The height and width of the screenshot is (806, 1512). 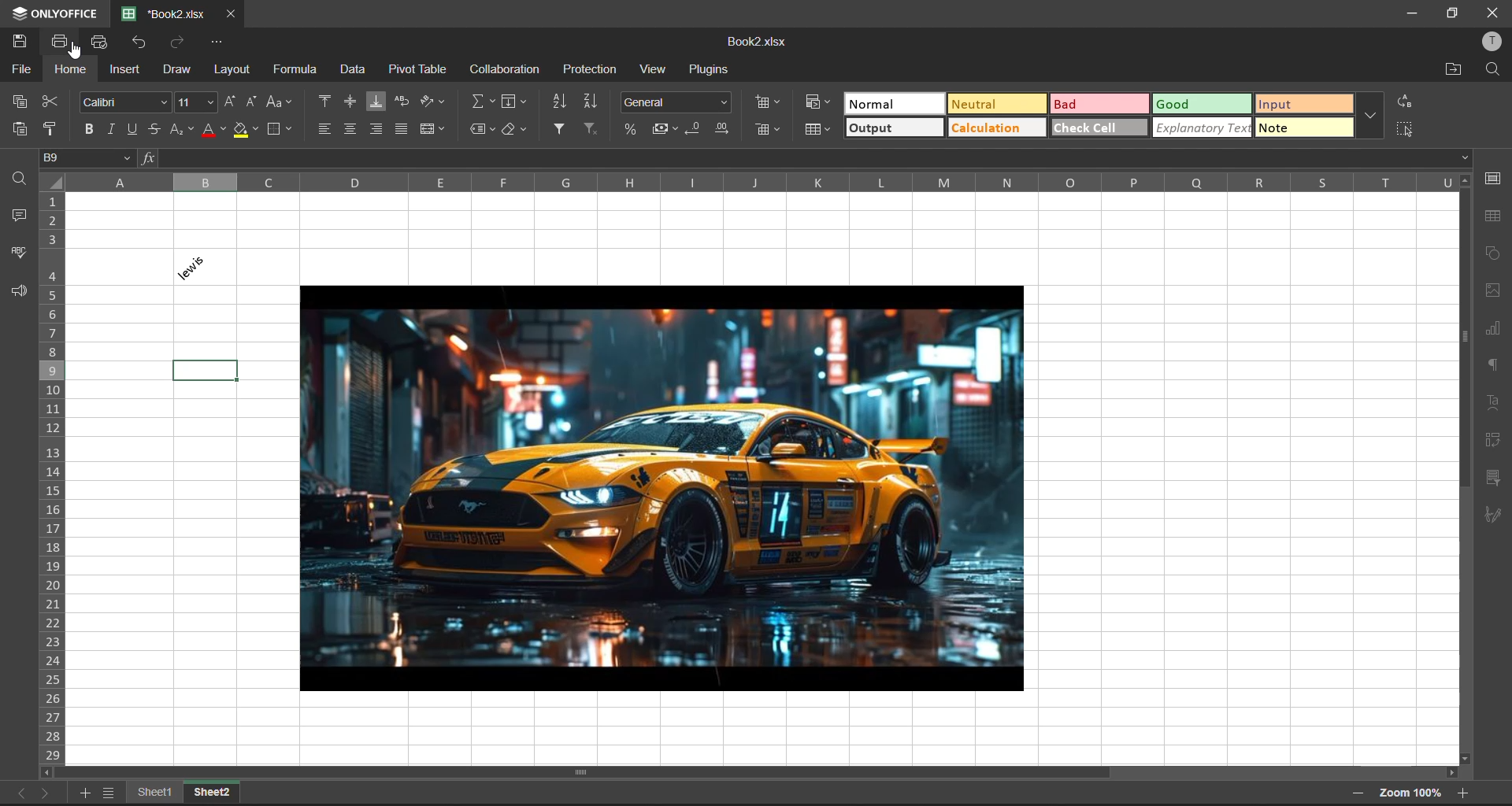 What do you see at coordinates (400, 130) in the screenshot?
I see `justified` at bounding box center [400, 130].